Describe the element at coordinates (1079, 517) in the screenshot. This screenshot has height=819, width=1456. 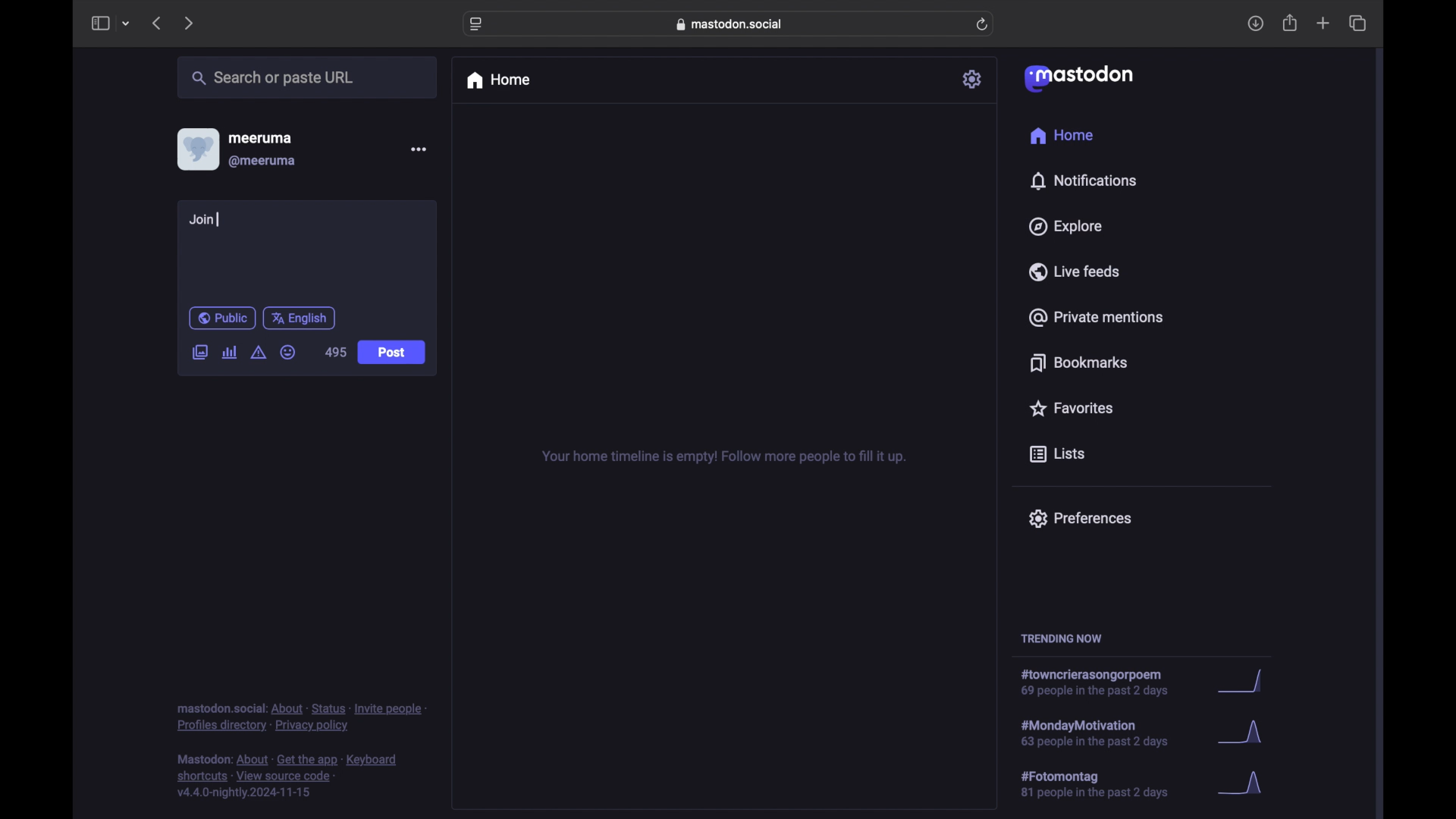
I see `preferences` at that location.